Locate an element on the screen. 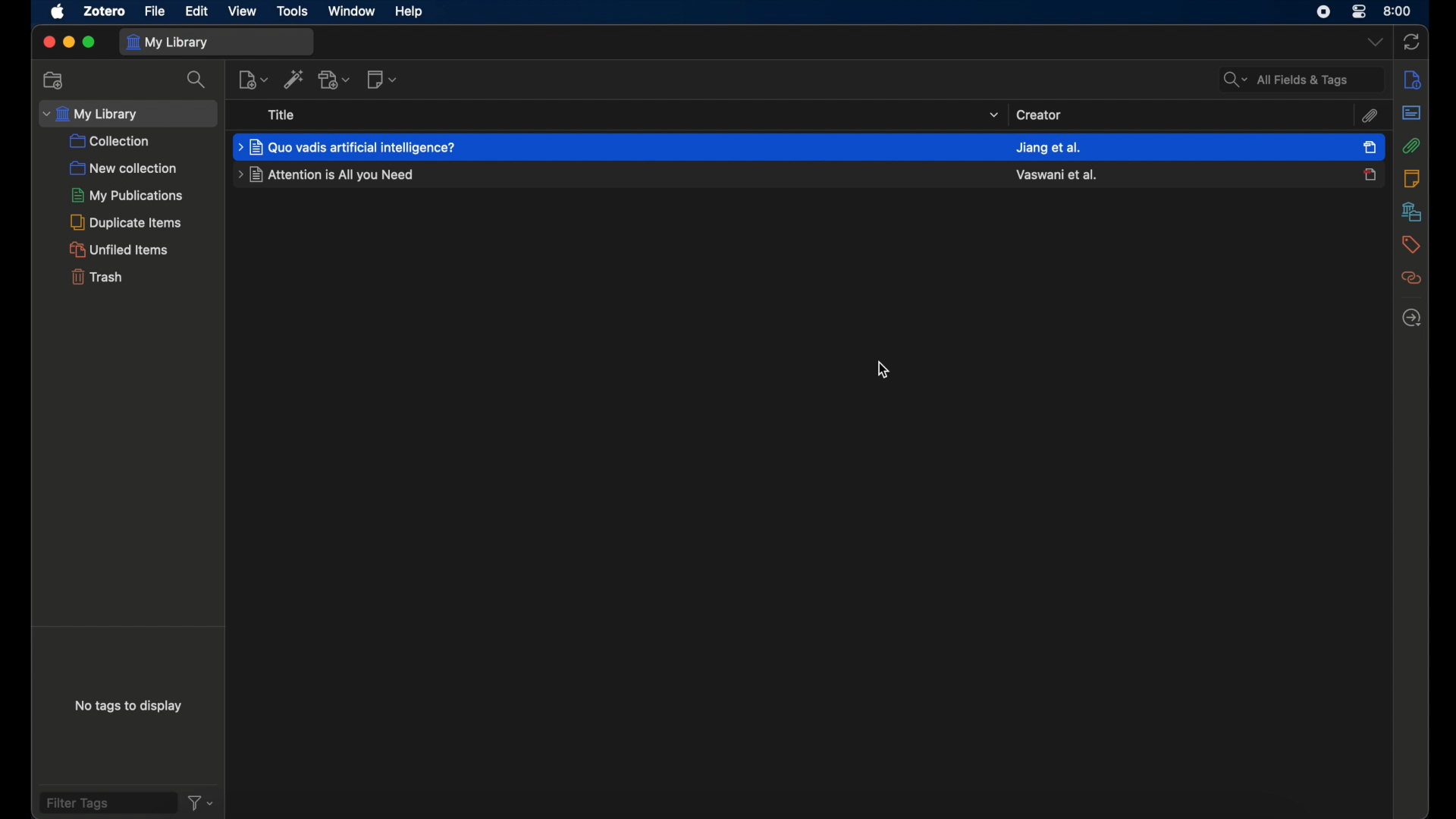  abstract is located at coordinates (1410, 112).